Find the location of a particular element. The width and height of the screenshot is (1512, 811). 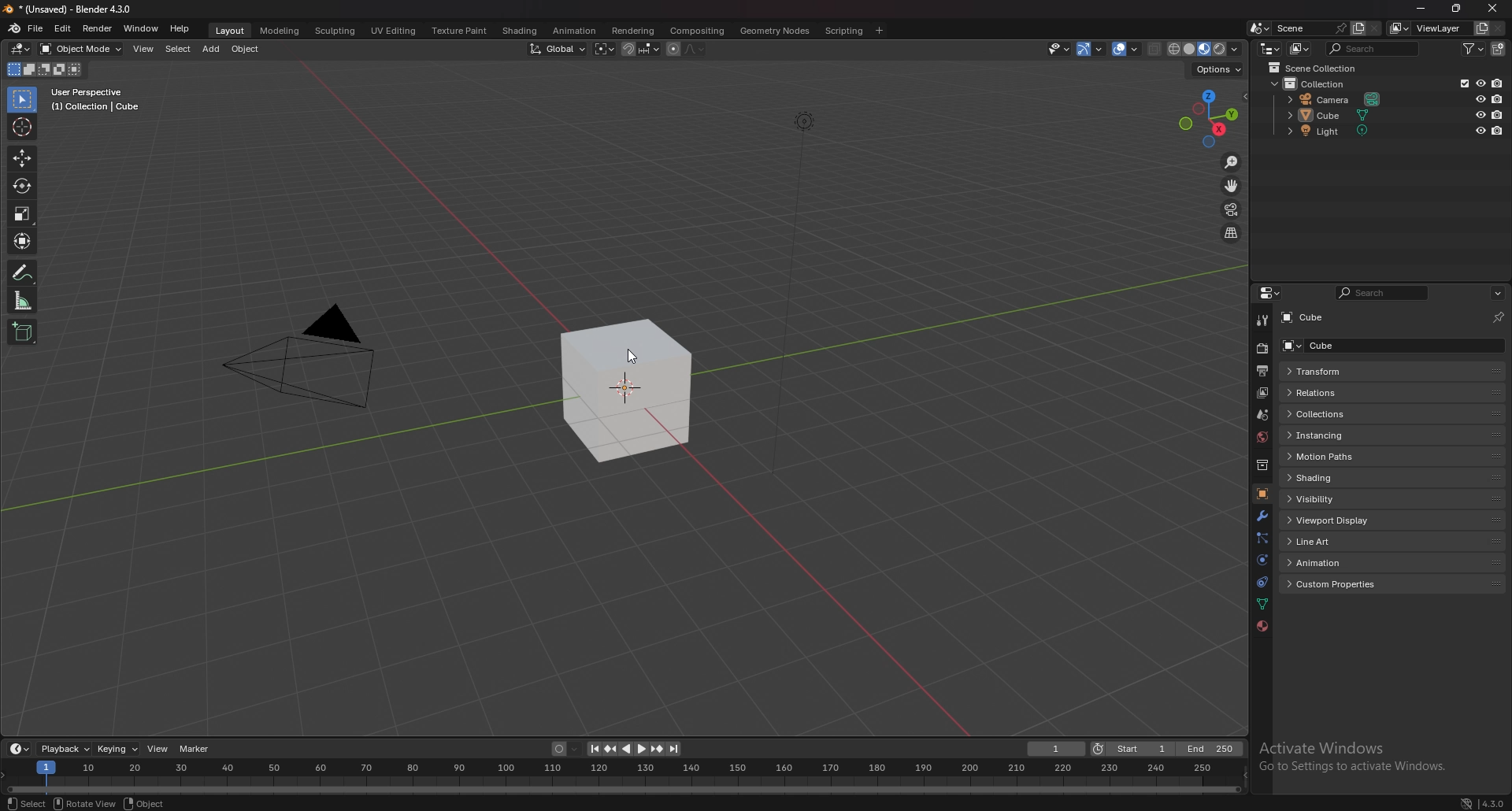

constraints is located at coordinates (1262, 581).